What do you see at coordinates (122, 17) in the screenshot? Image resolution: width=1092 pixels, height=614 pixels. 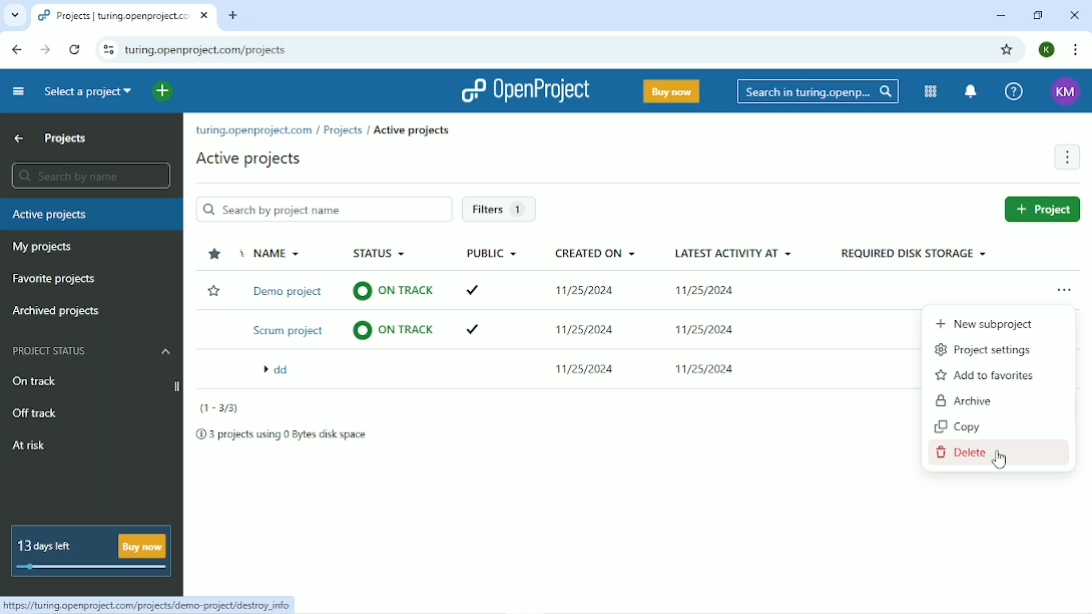 I see `projects | turing.openproject.com` at bounding box center [122, 17].